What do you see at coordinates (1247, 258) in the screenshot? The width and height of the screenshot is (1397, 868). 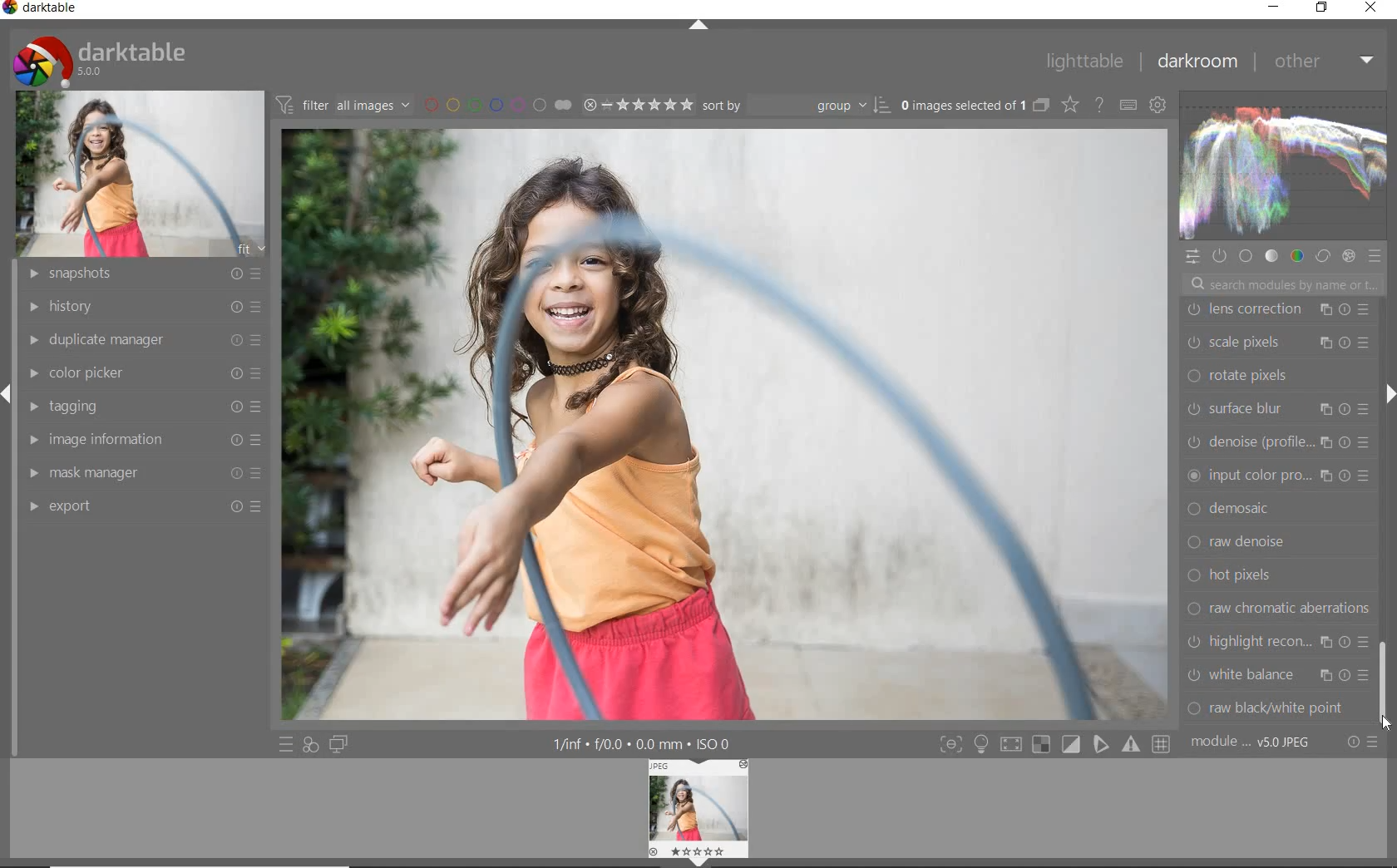 I see `base` at bounding box center [1247, 258].